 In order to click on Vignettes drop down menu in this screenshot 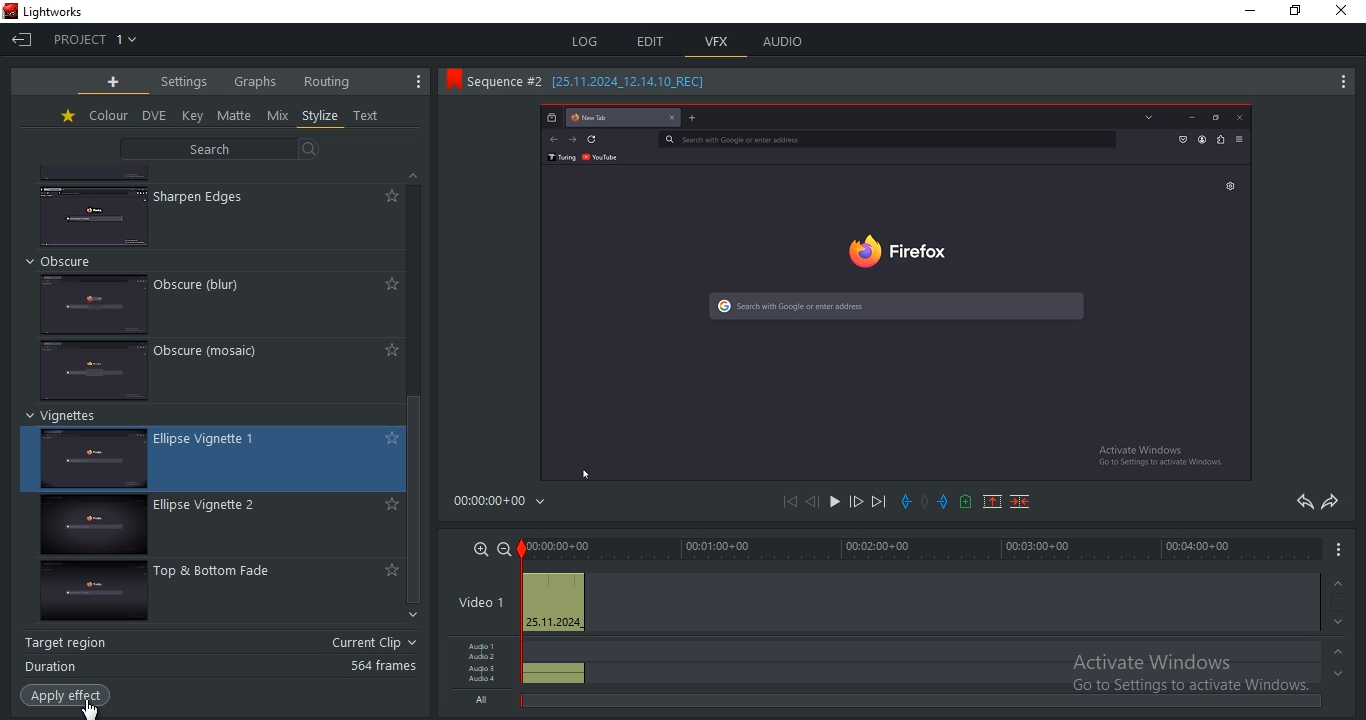, I will do `click(66, 417)`.